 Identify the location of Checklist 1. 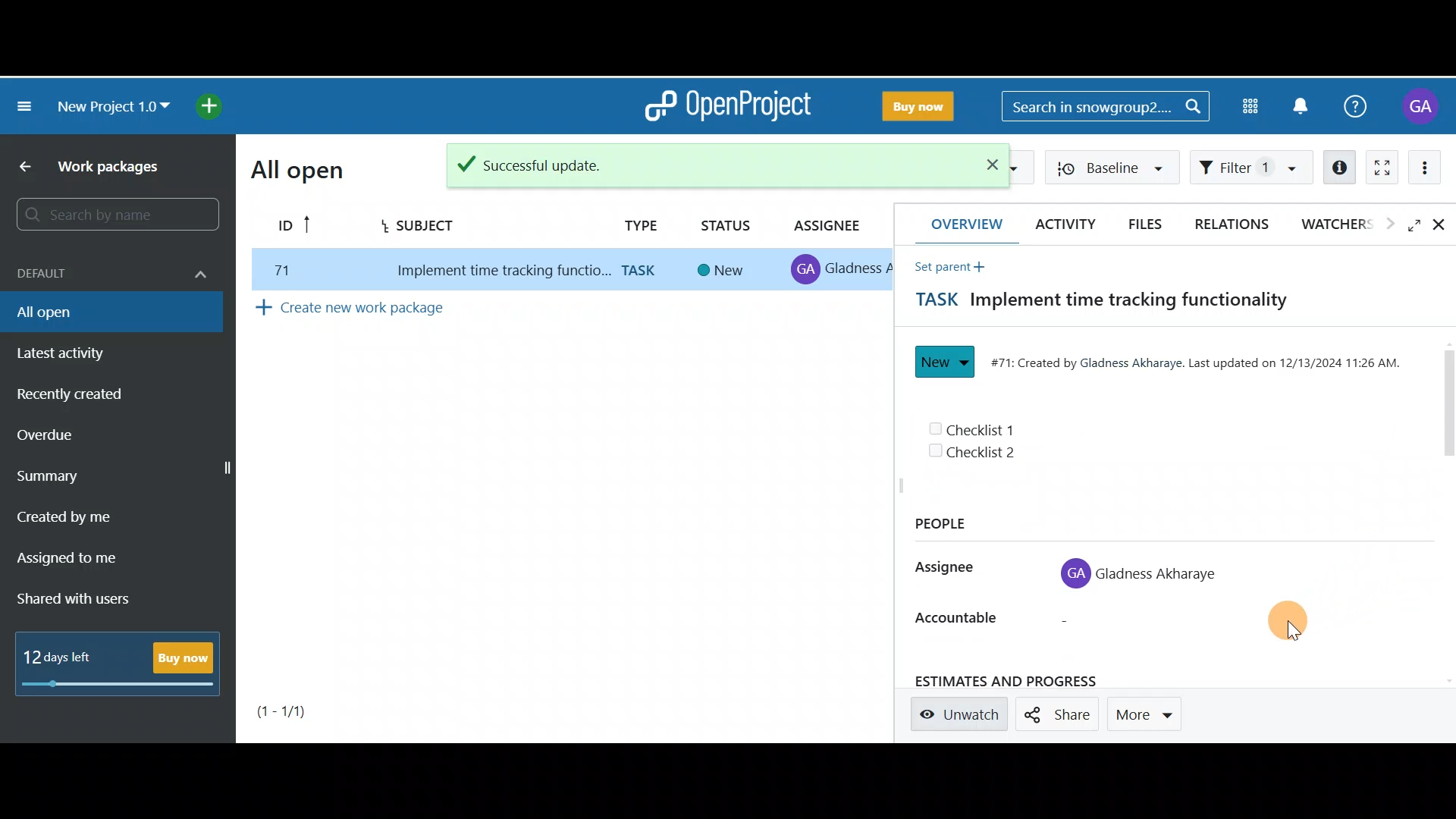
(1003, 428).